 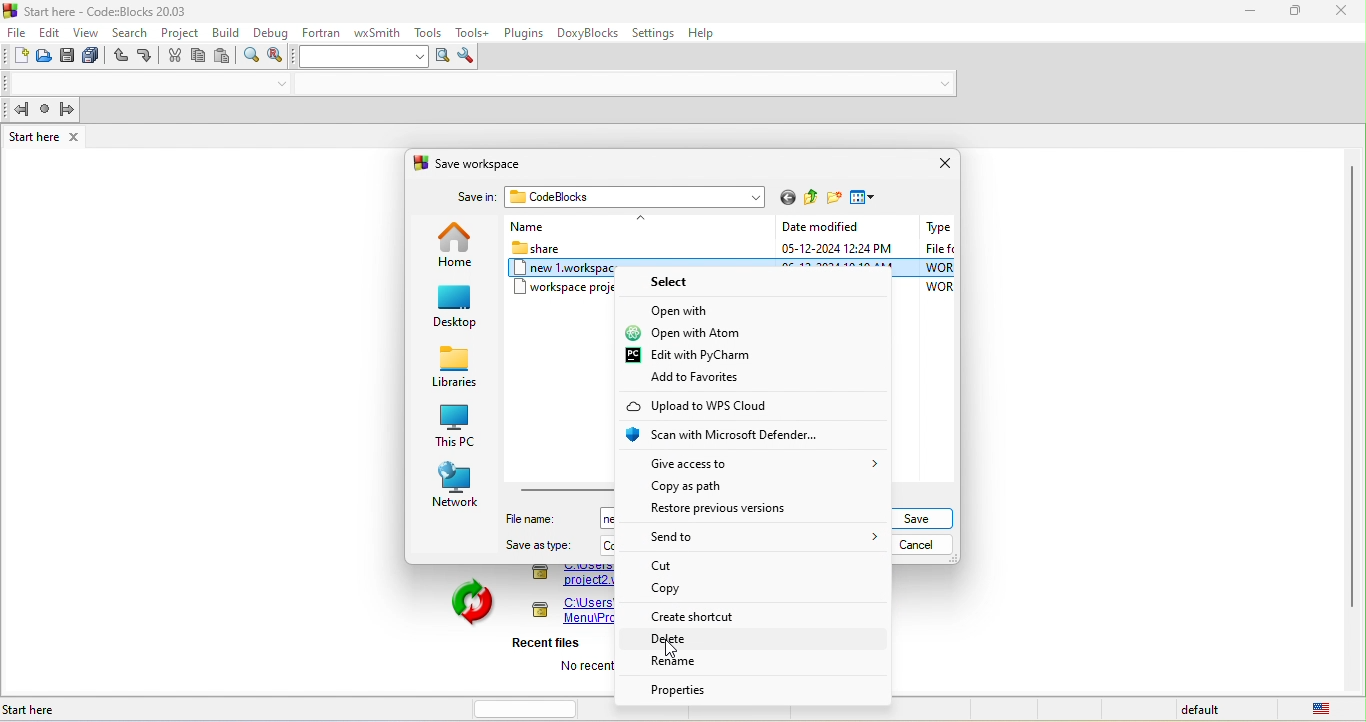 I want to click on up one level, so click(x=812, y=200).